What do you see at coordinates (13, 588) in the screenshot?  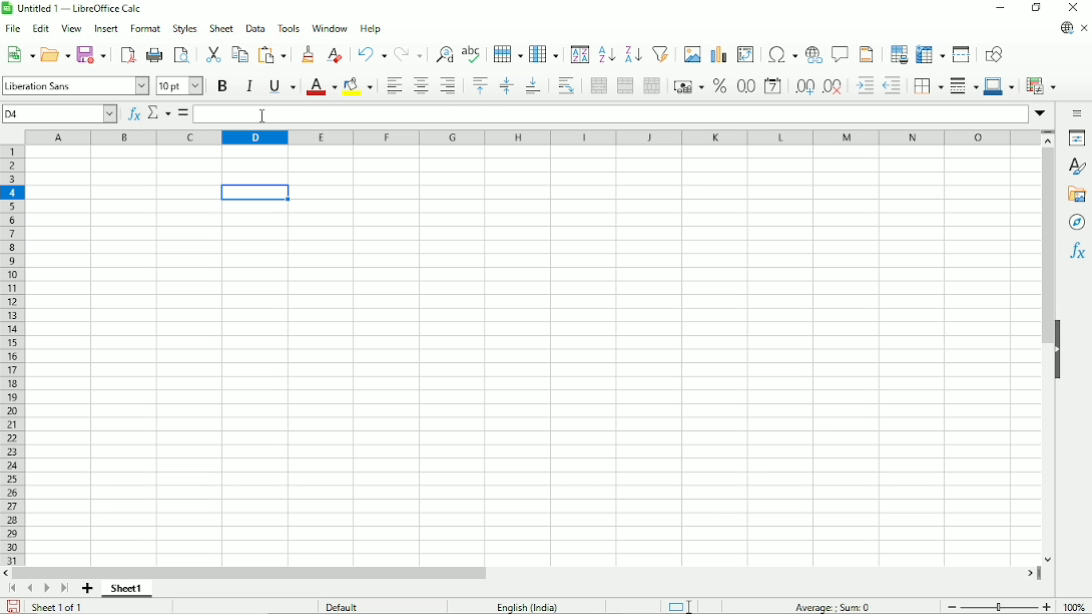 I see `Scroll to first sheet` at bounding box center [13, 588].